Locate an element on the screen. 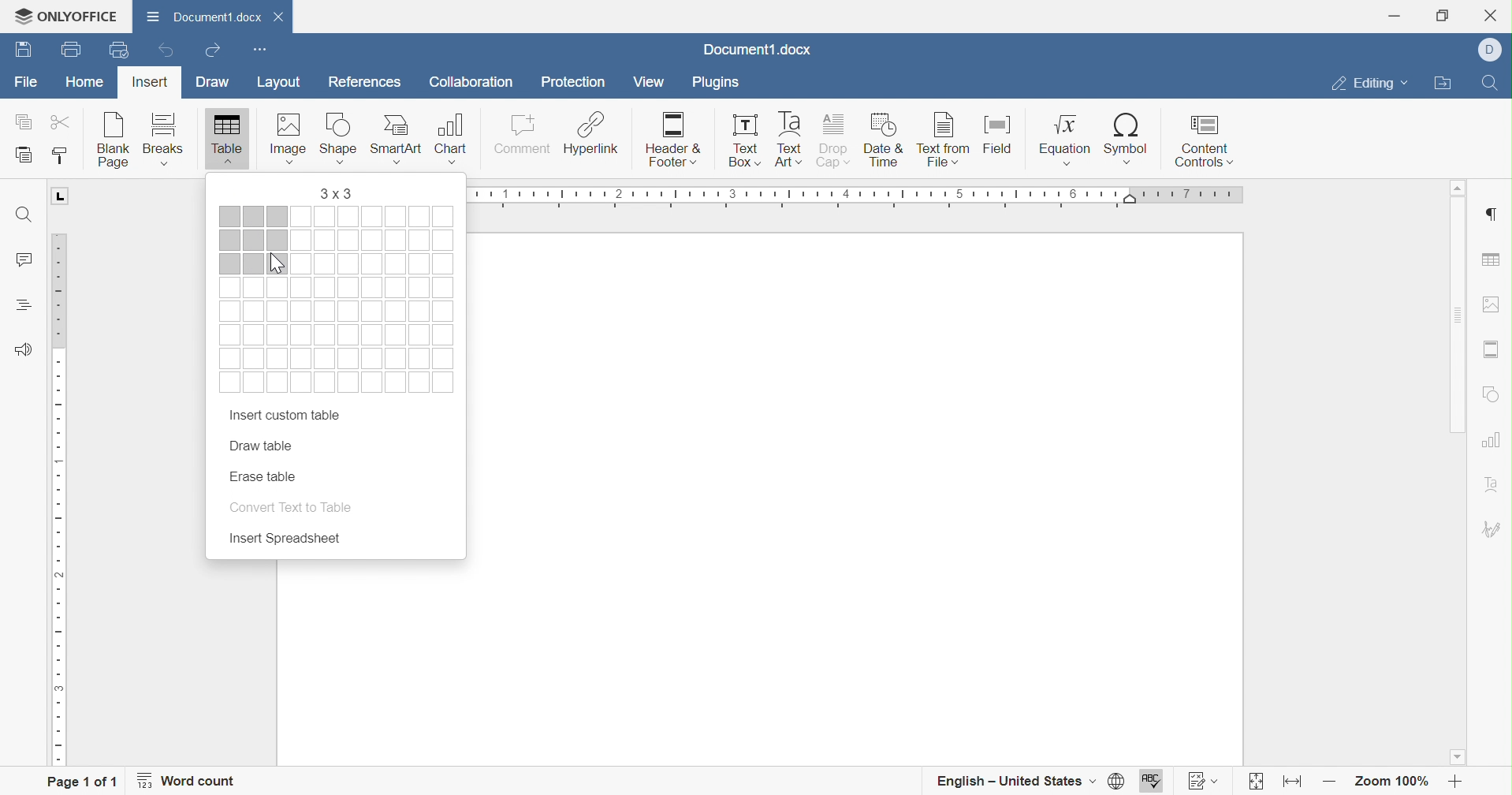 The width and height of the screenshot is (1512, 795). Comment is located at coordinates (523, 139).